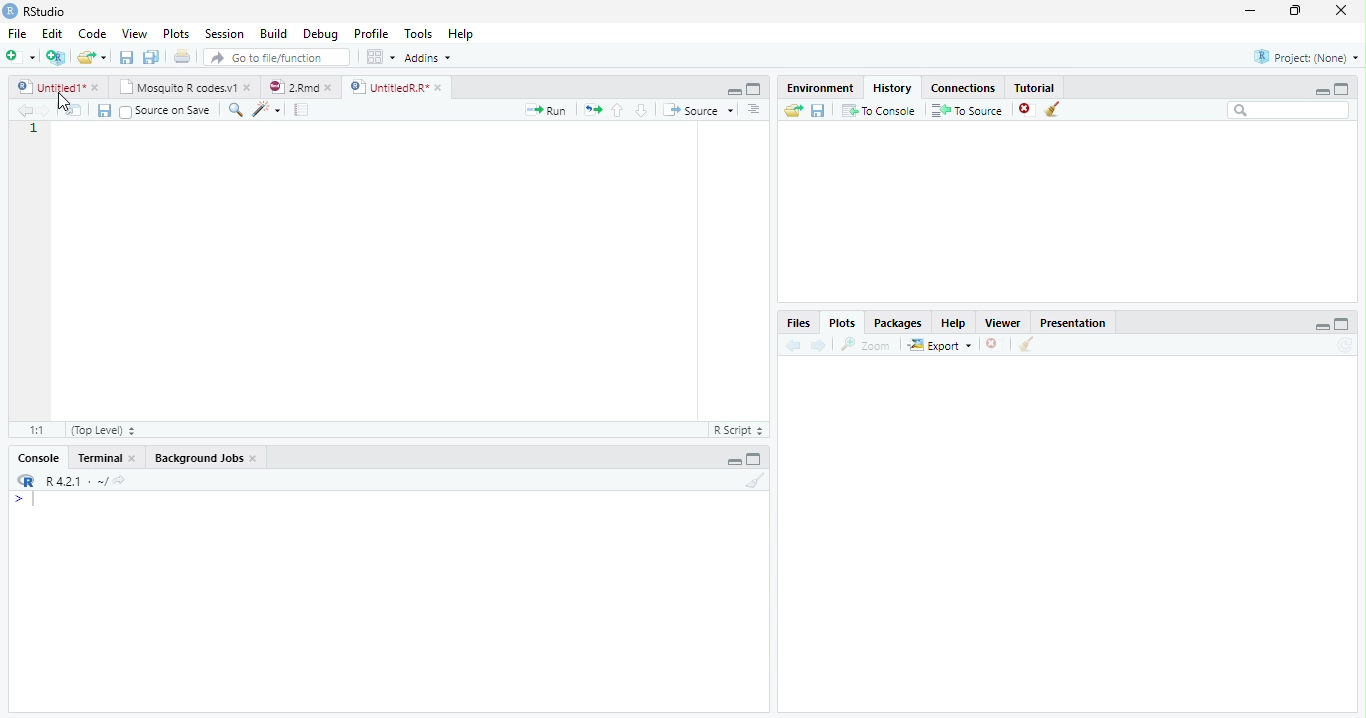 Image resolution: width=1366 pixels, height=718 pixels. I want to click on Environment, so click(819, 87).